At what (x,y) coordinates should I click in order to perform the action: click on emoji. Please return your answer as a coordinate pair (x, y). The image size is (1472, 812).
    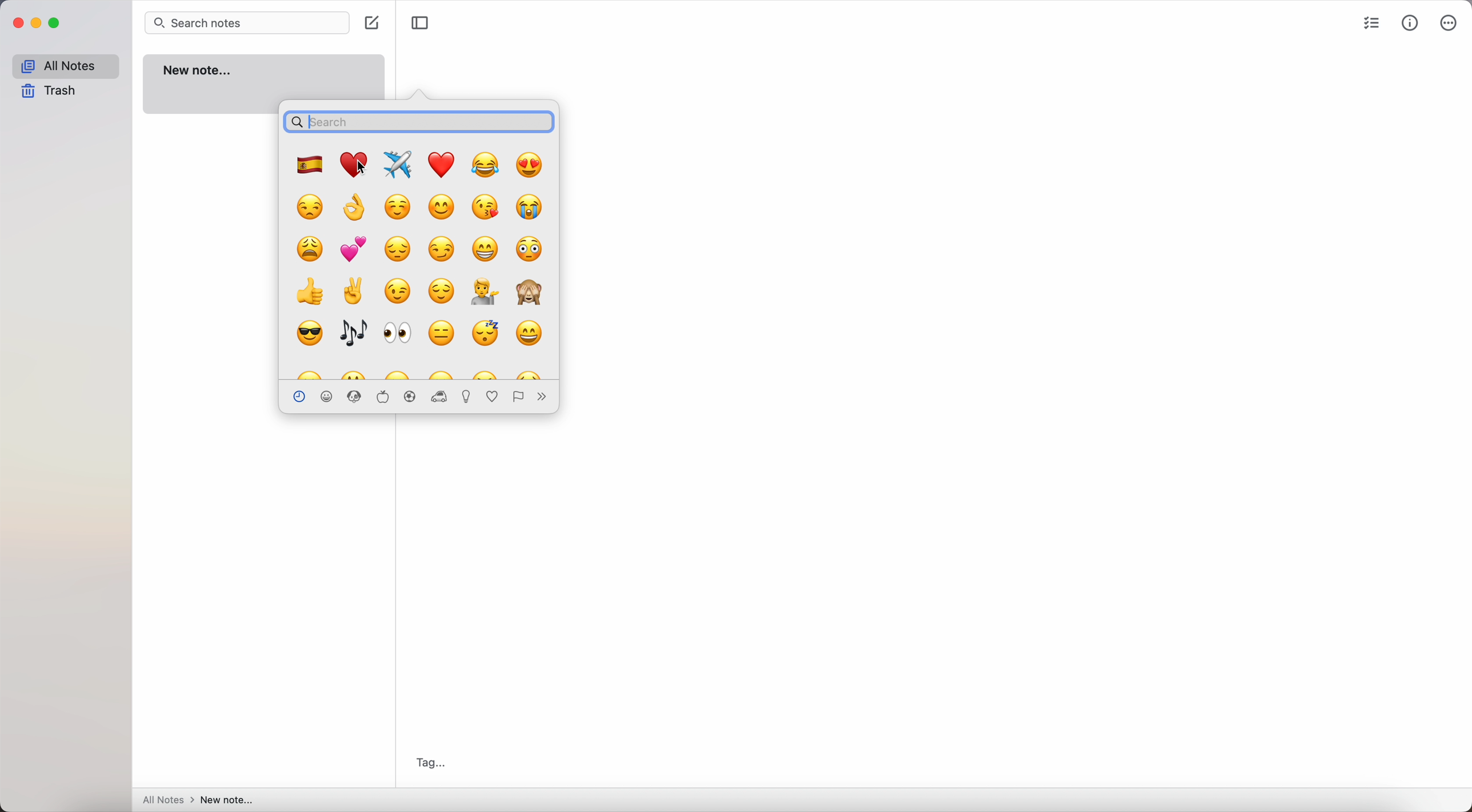
    Looking at the image, I should click on (442, 249).